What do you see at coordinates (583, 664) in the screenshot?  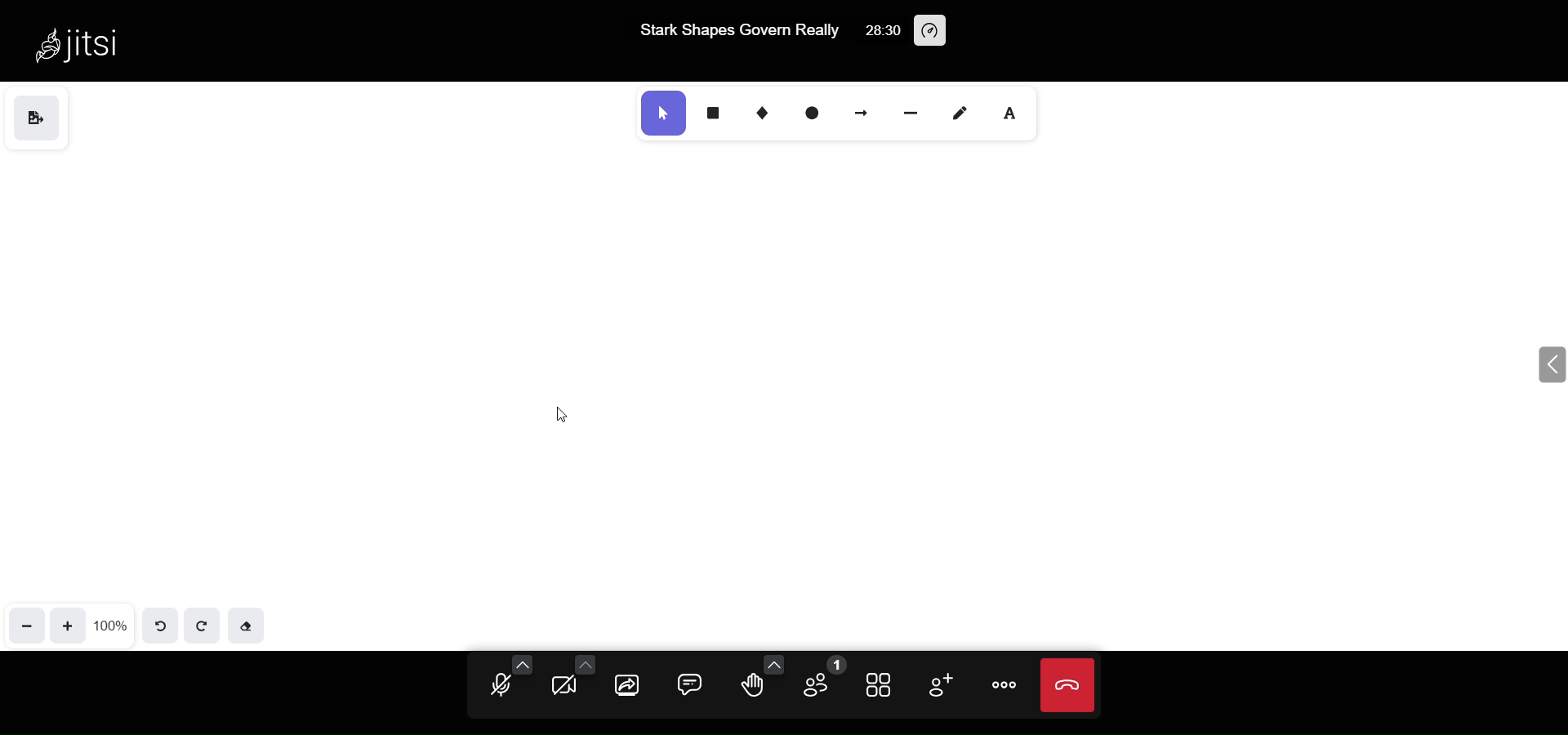 I see `more camera option` at bounding box center [583, 664].